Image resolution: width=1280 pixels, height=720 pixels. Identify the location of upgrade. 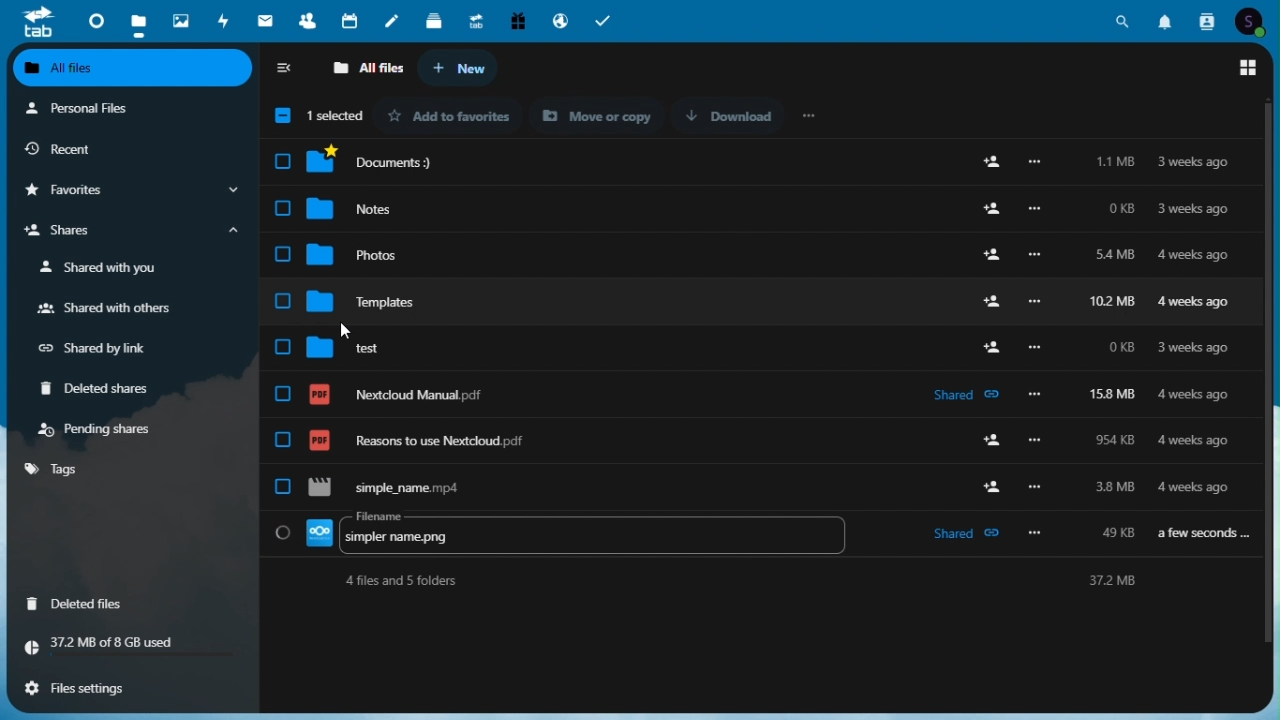
(478, 19).